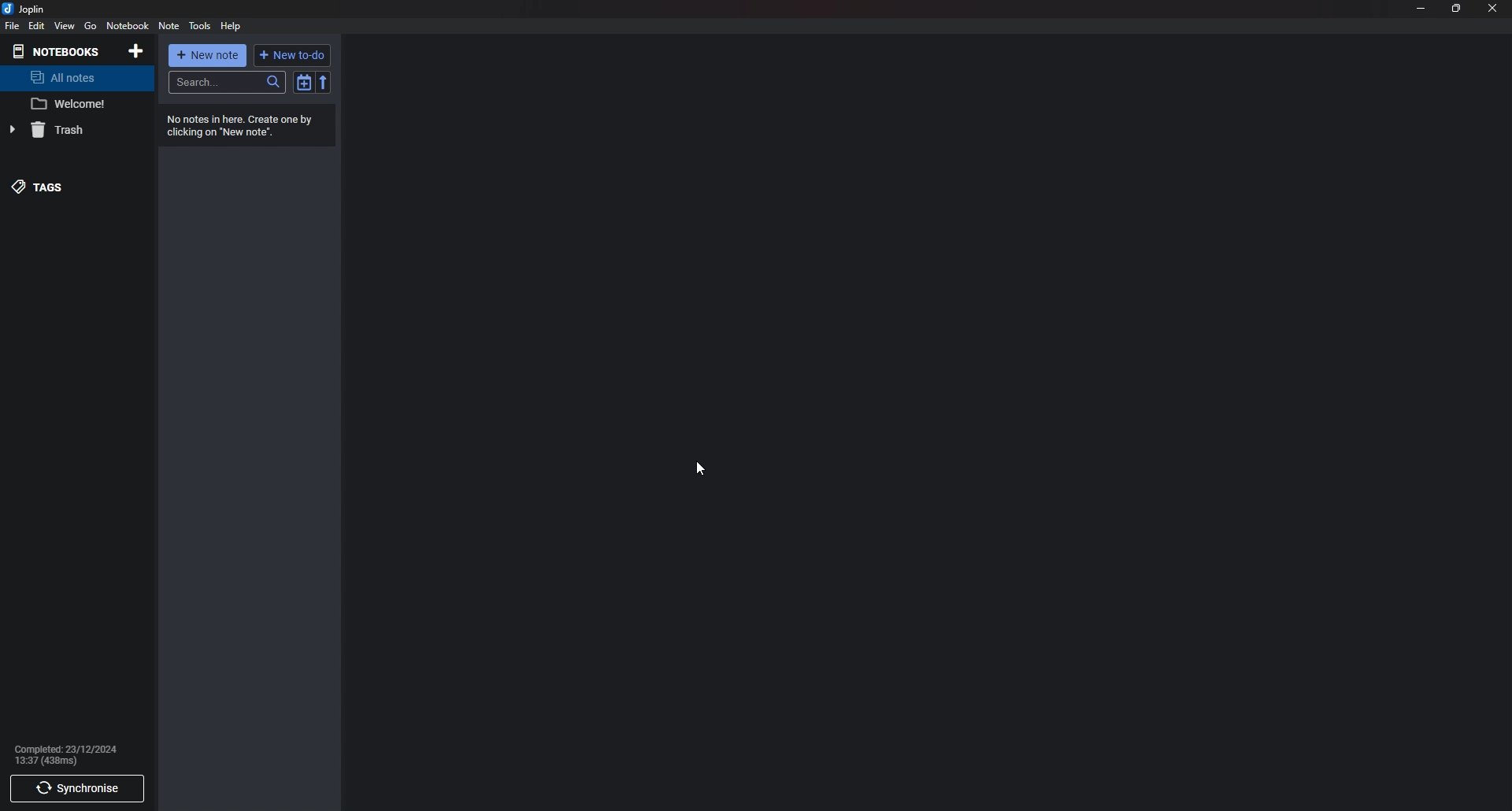  Describe the element at coordinates (206, 56) in the screenshot. I see `New note` at that location.